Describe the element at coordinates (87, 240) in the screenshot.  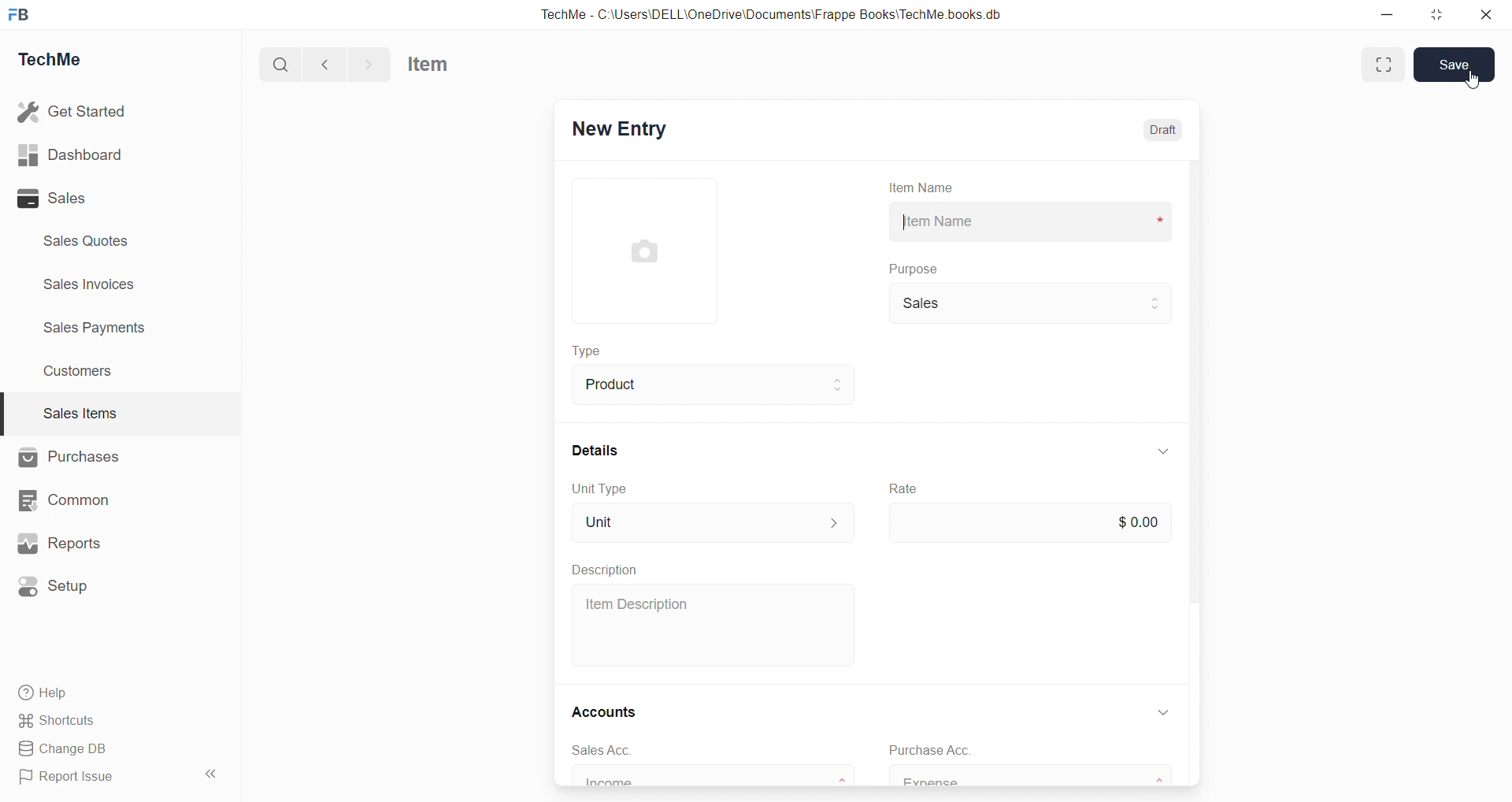
I see `Sales Quotes` at that location.